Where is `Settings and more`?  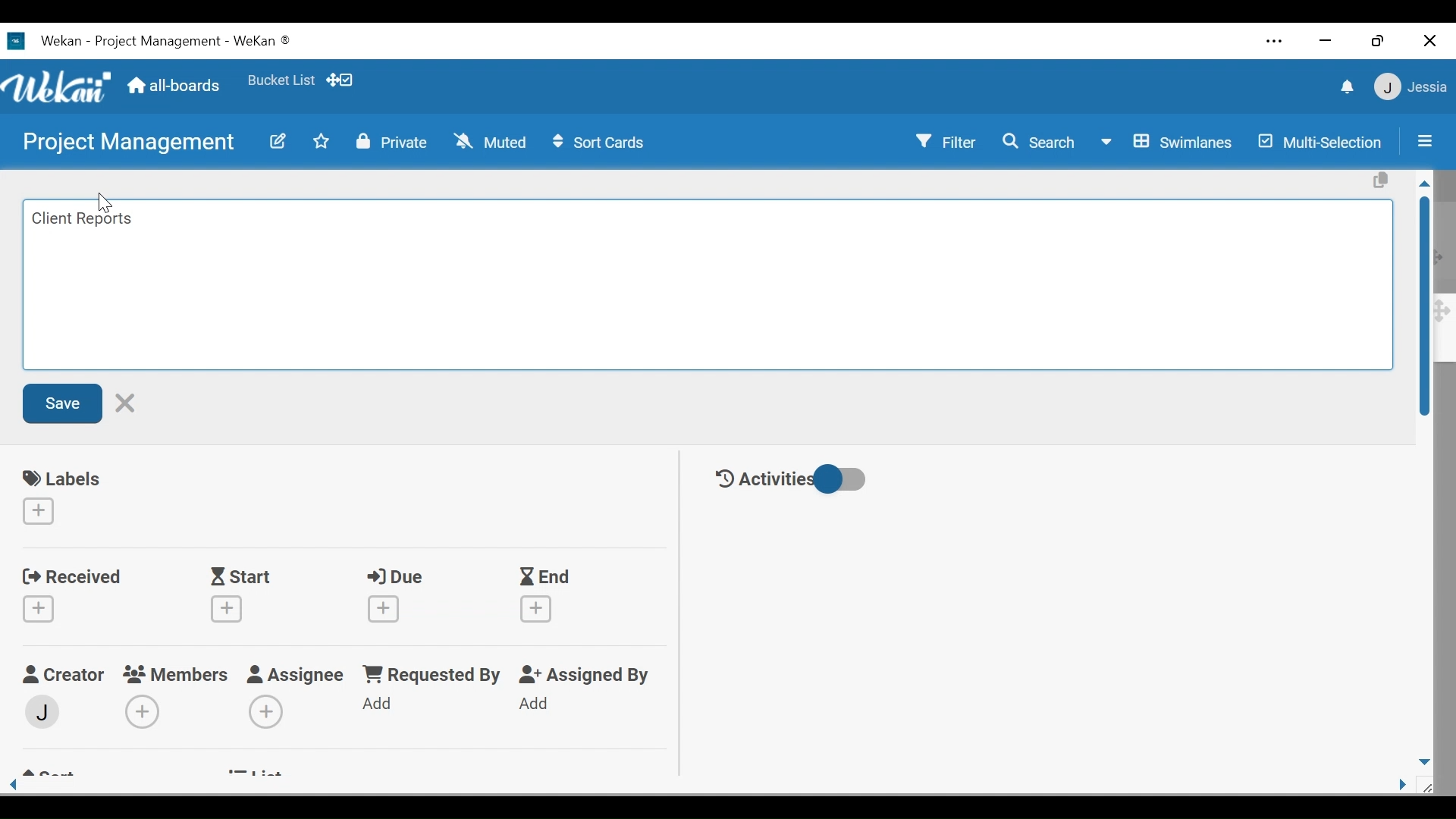 Settings and more is located at coordinates (1276, 42).